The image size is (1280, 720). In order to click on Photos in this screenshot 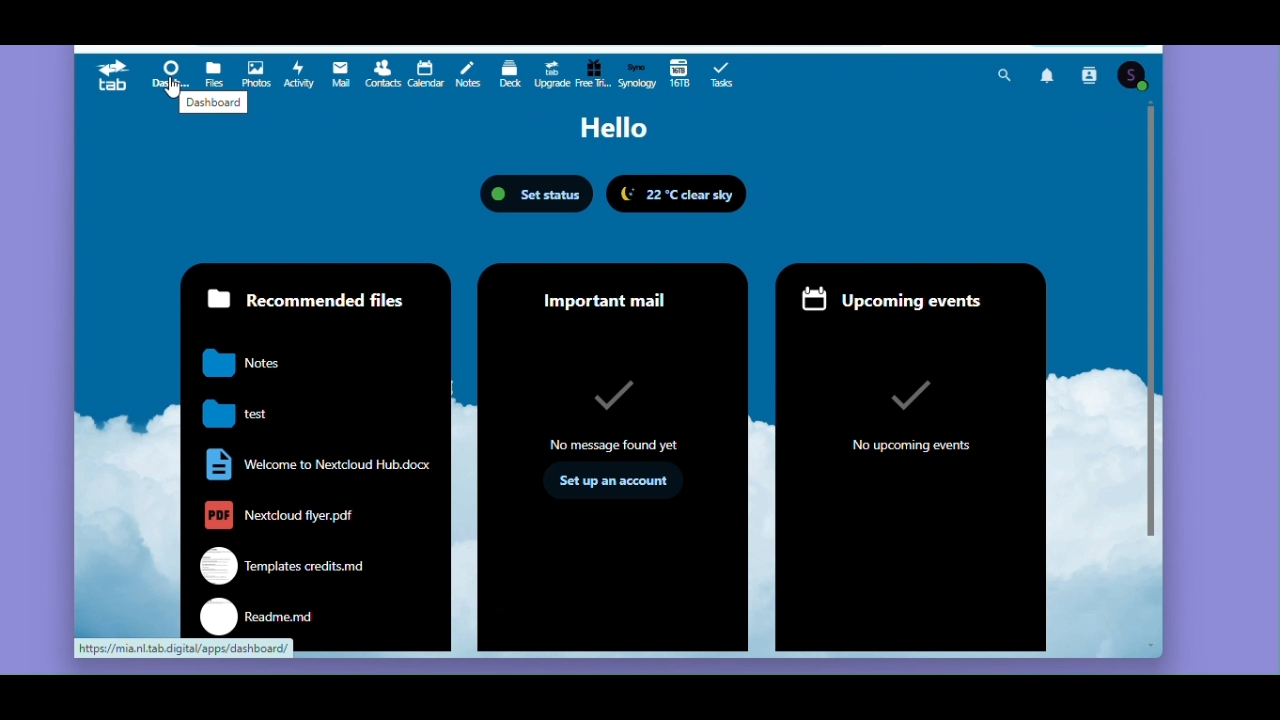, I will do `click(258, 72)`.